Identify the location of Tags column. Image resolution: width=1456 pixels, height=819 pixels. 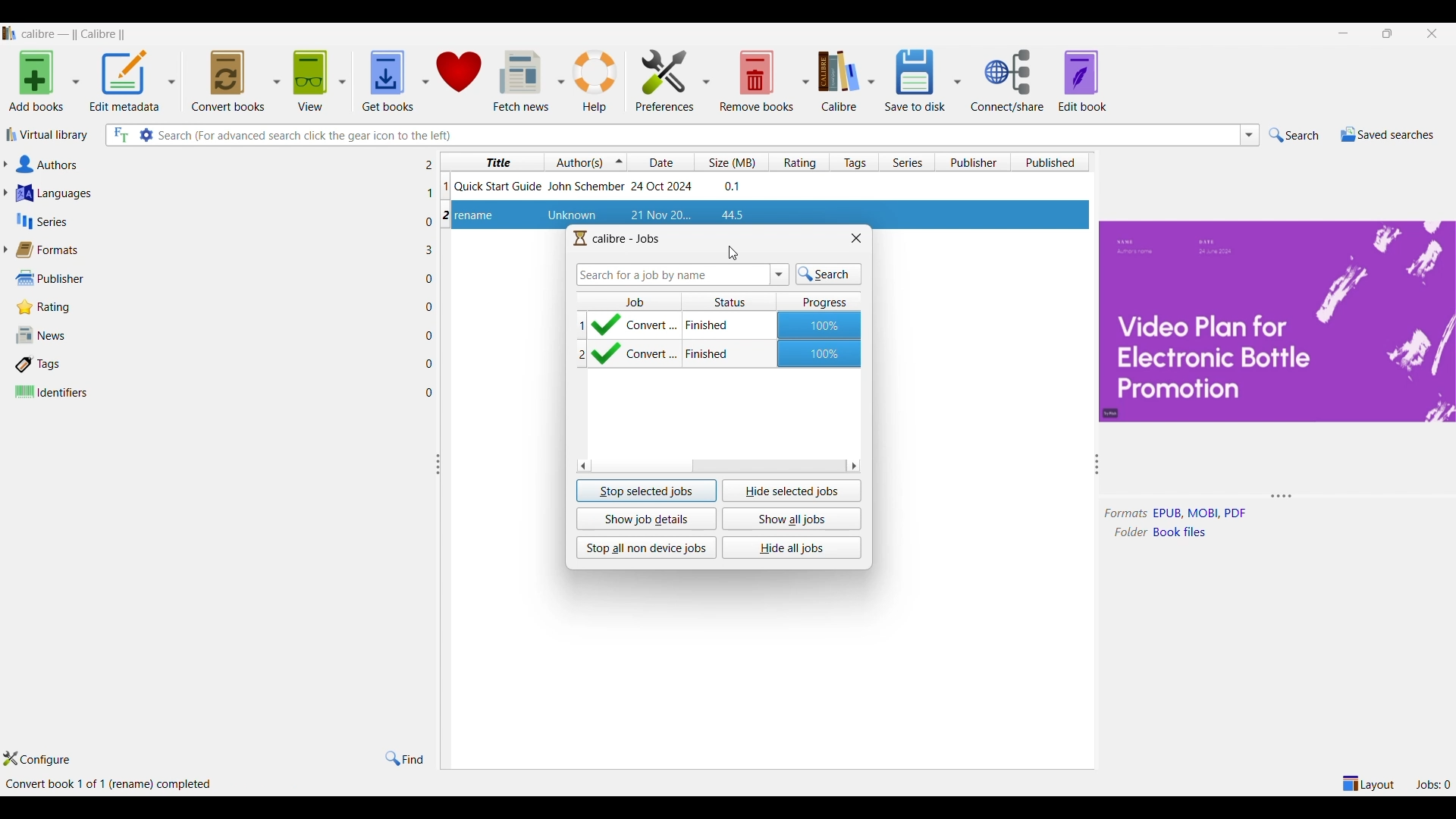
(854, 162).